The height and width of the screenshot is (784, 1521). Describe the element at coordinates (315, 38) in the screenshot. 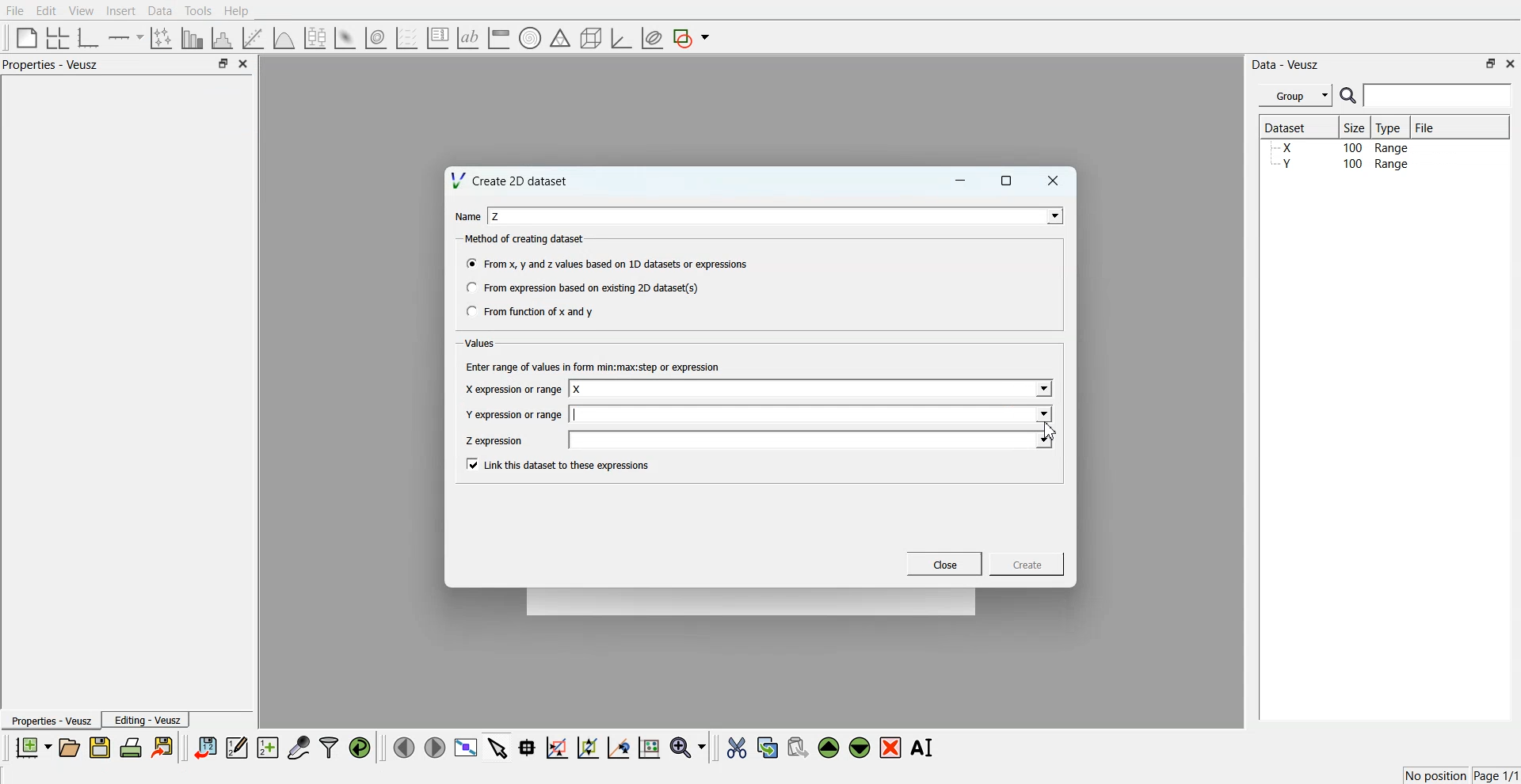

I see `Plot box plots` at that location.